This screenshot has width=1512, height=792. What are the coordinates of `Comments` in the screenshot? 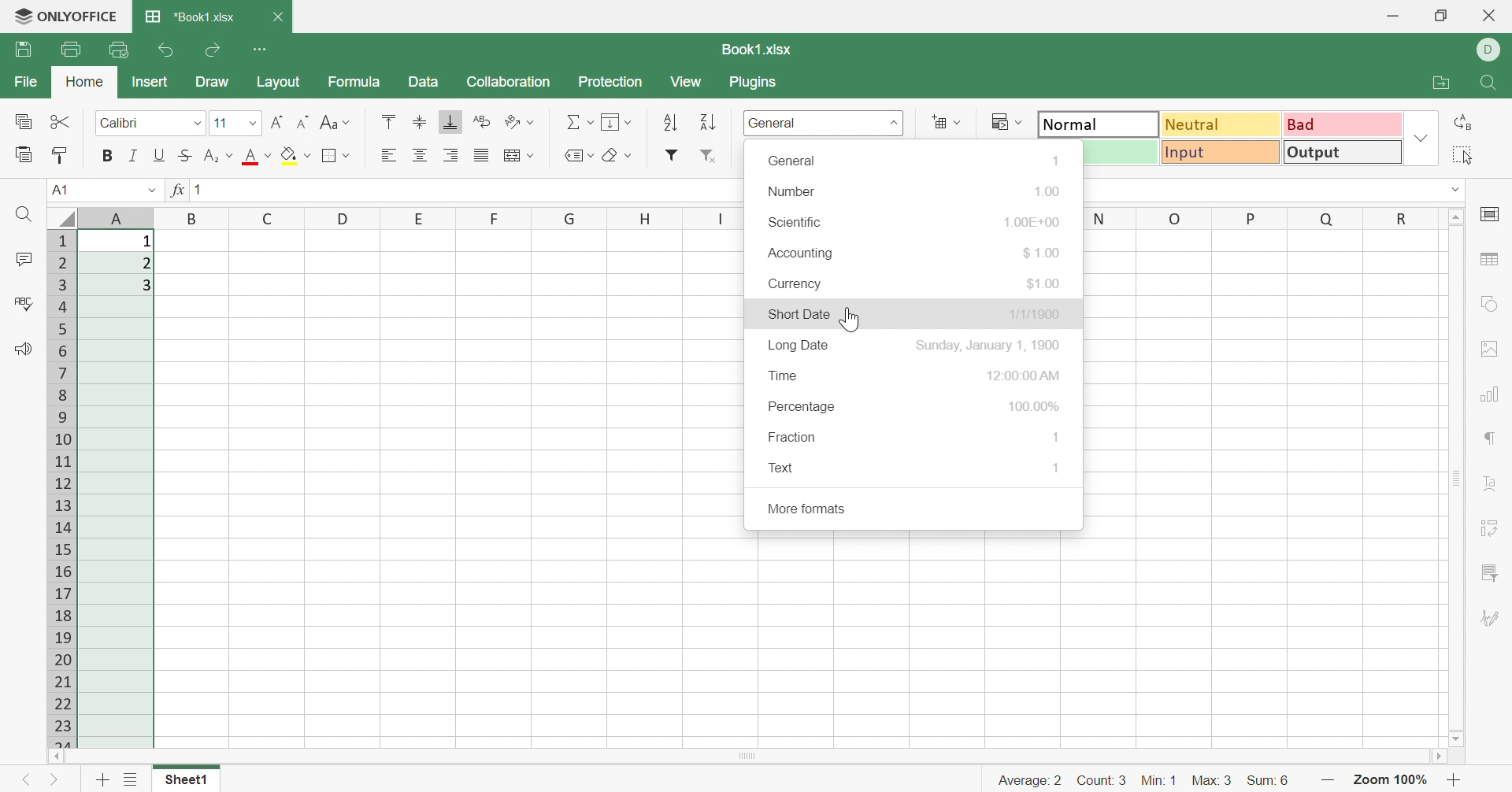 It's located at (23, 261).